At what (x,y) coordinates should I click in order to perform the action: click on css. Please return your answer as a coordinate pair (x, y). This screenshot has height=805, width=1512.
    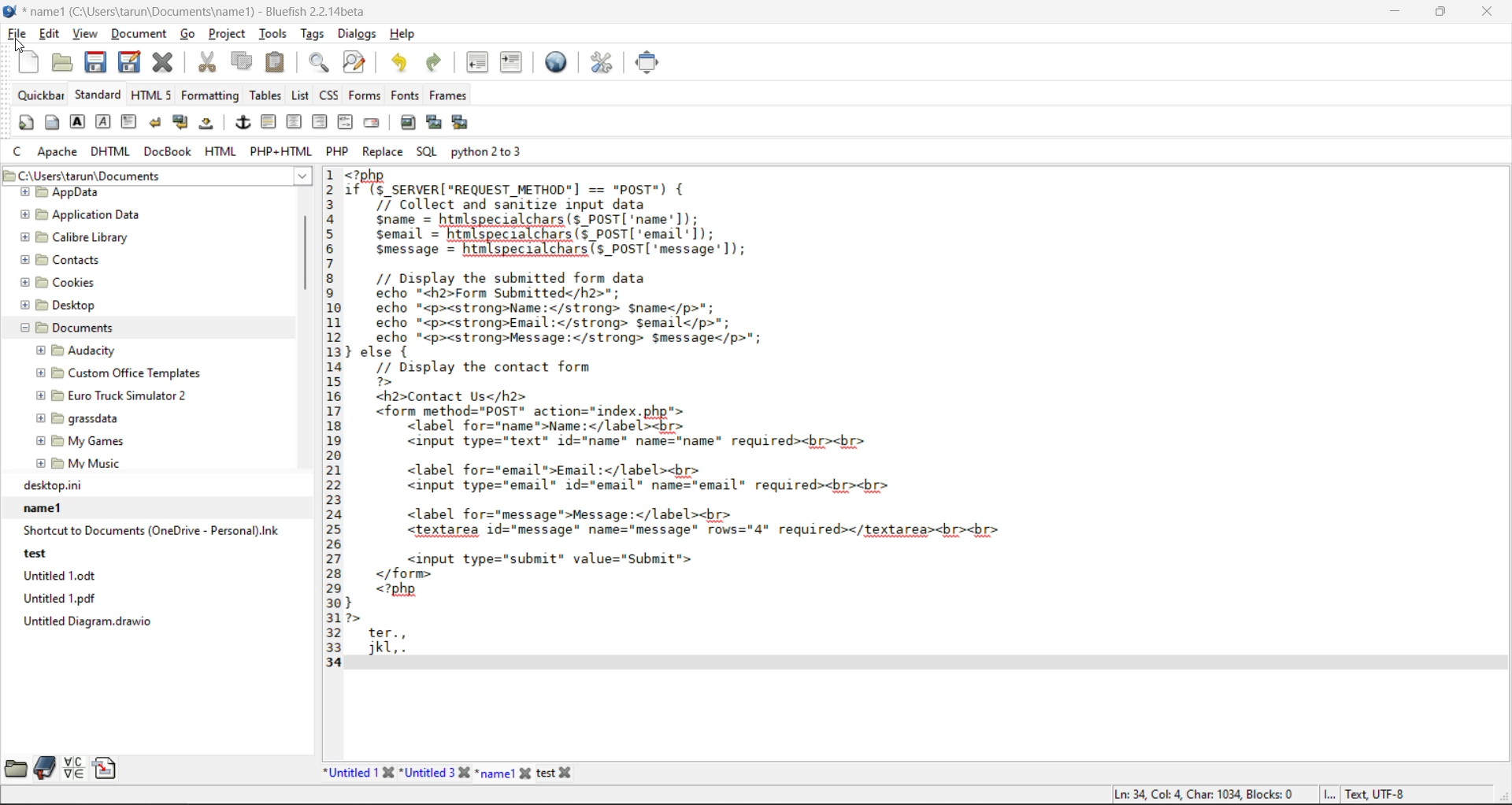
    Looking at the image, I should click on (330, 95).